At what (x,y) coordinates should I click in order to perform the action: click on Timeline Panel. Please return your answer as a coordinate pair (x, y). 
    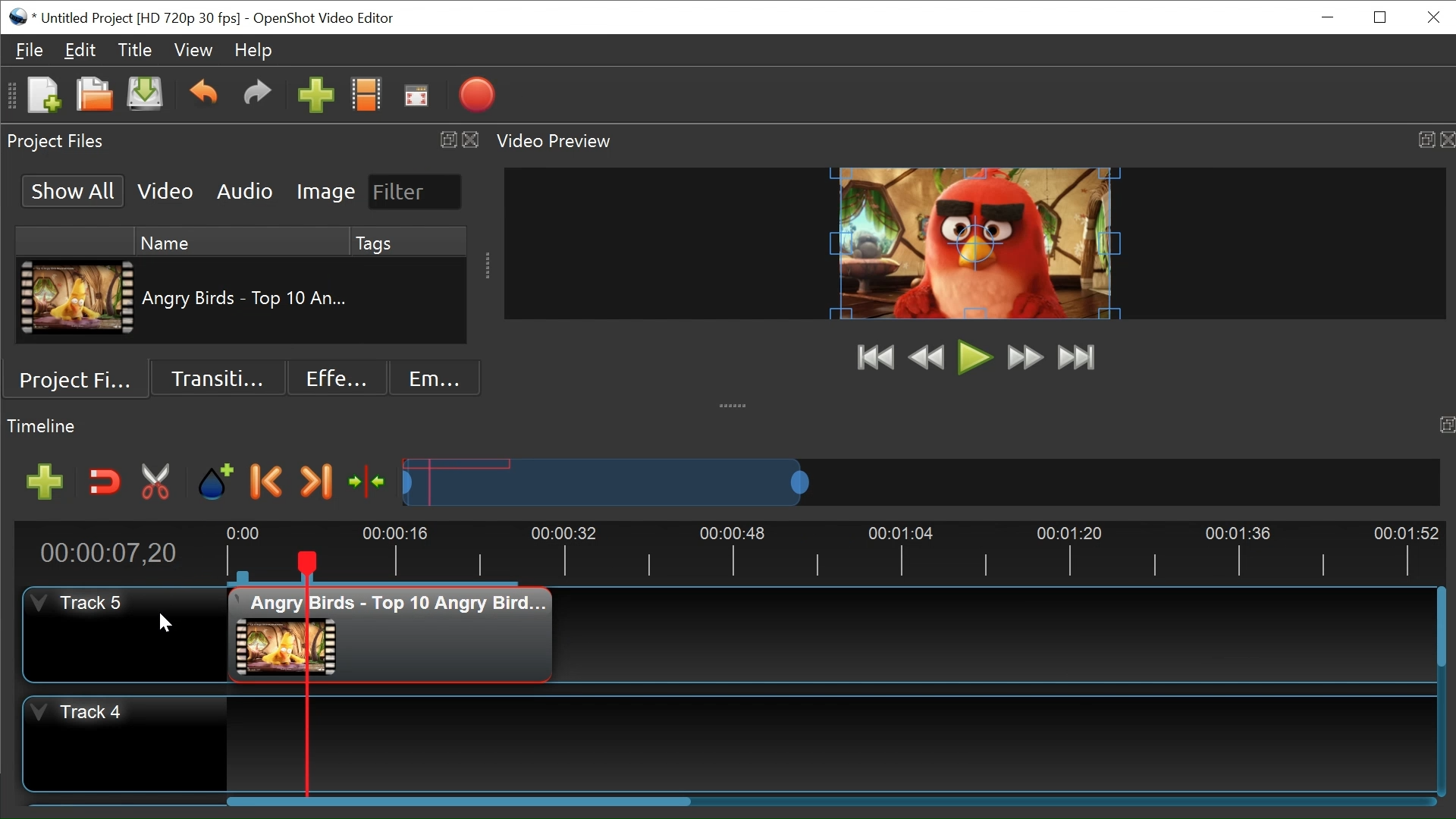
    Looking at the image, I should click on (728, 426).